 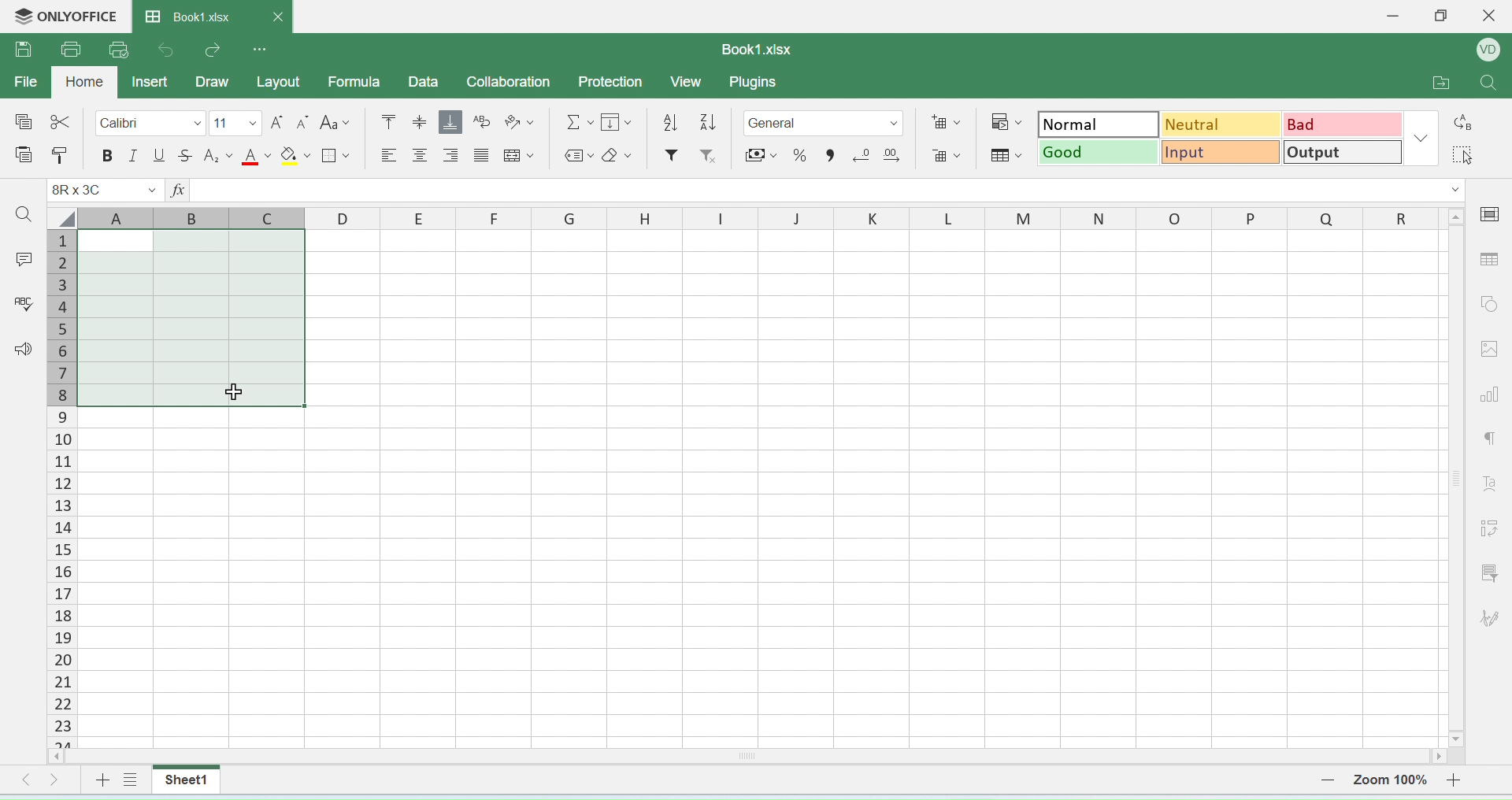 I want to click on aqlign bottom, so click(x=450, y=121).